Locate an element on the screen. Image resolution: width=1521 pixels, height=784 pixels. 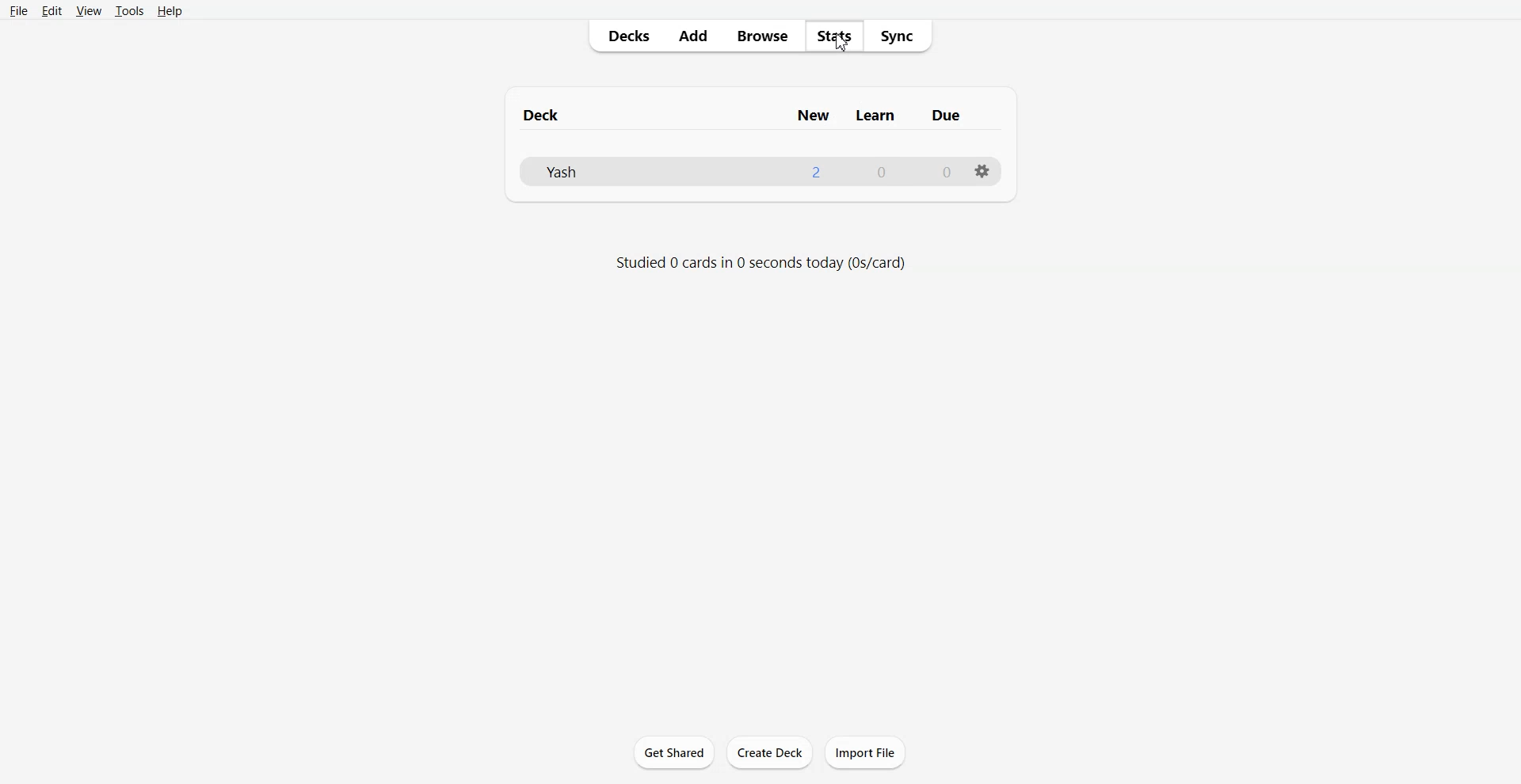
Due is located at coordinates (955, 110).